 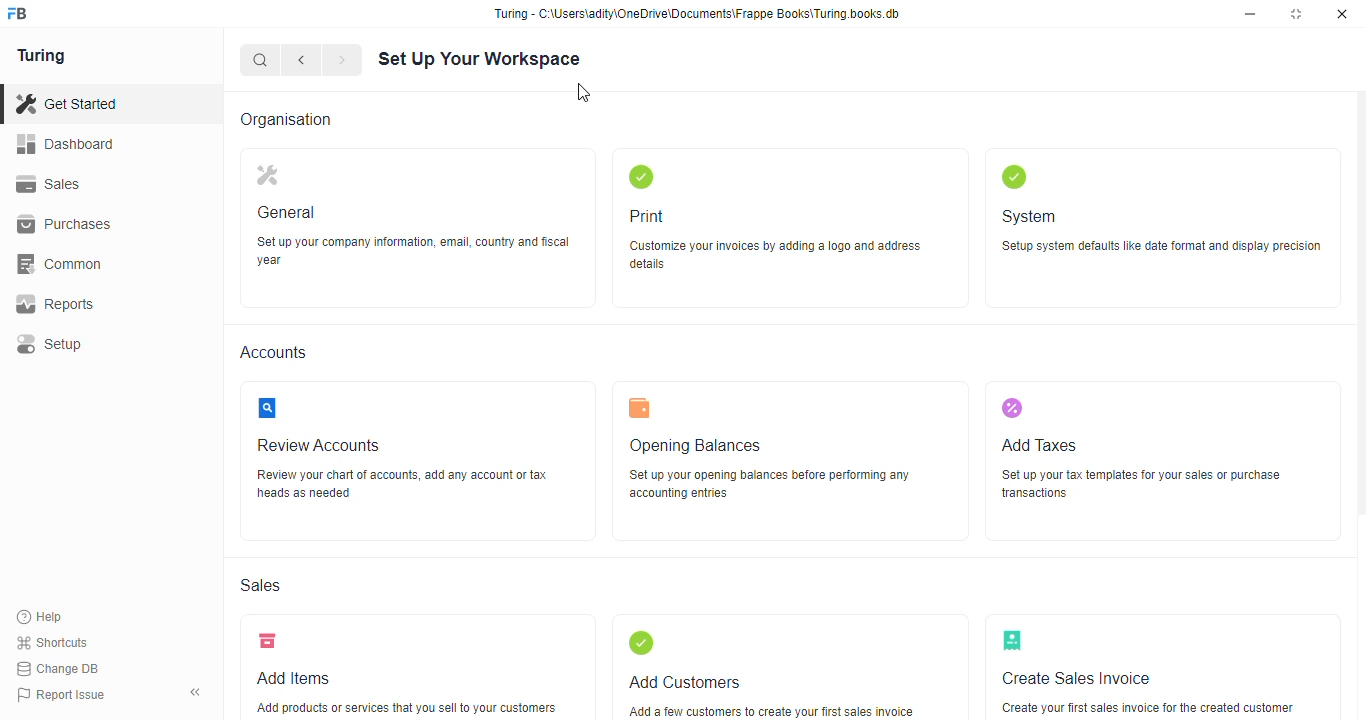 What do you see at coordinates (1299, 14) in the screenshot?
I see `maximise` at bounding box center [1299, 14].